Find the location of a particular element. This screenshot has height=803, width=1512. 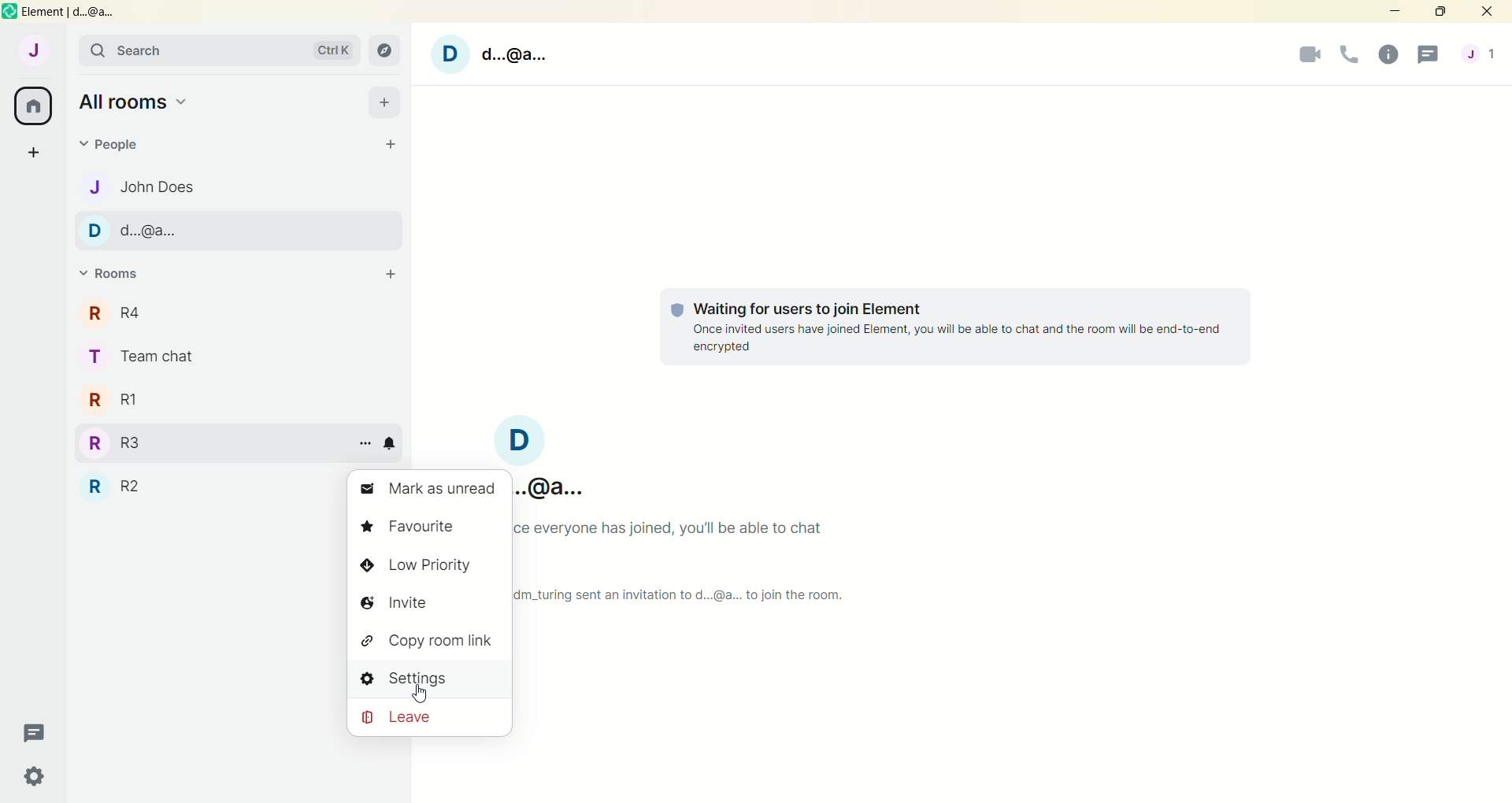

cursor is located at coordinates (421, 694).